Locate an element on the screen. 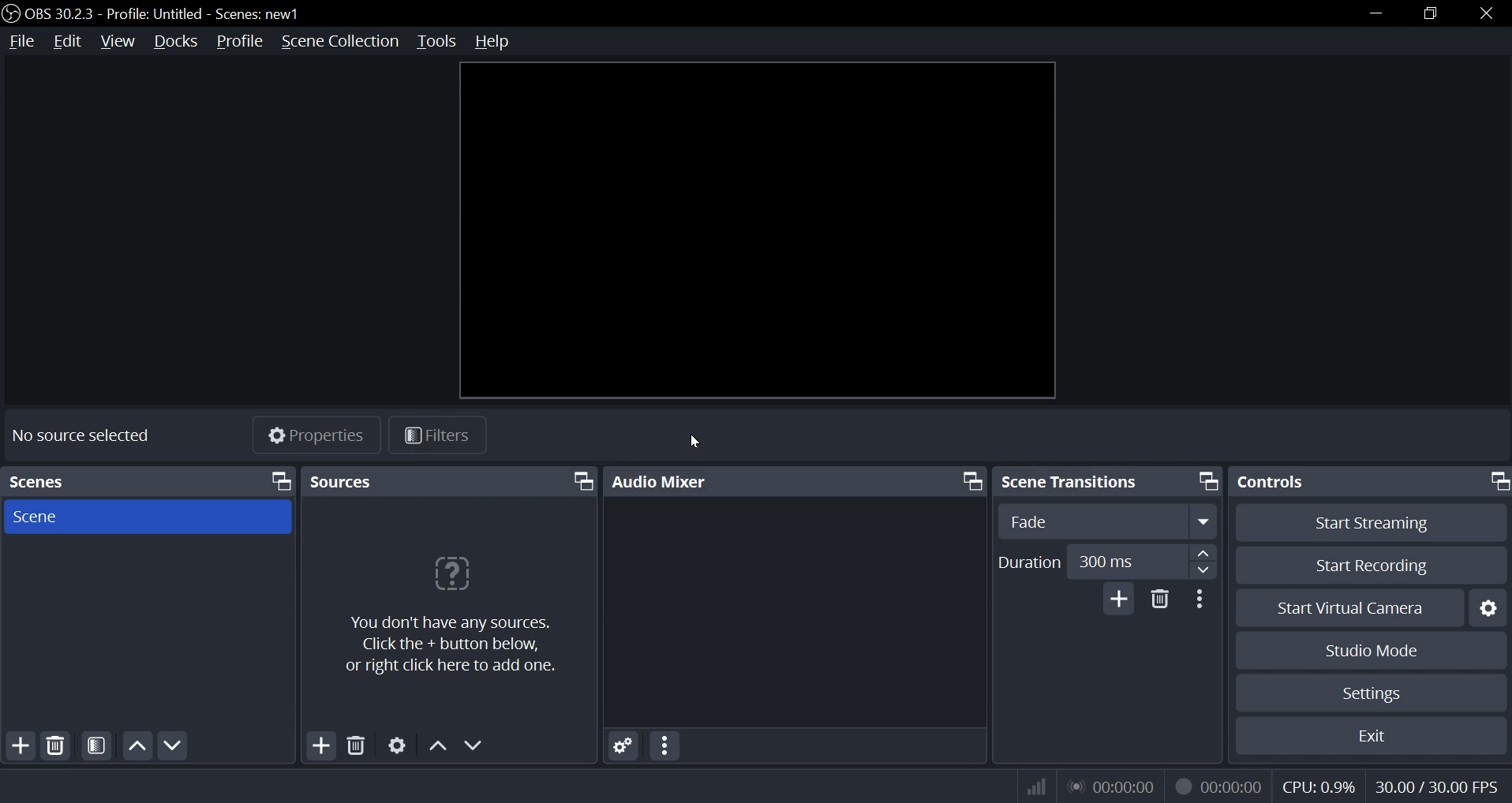 This screenshot has width=1512, height=803. Scenes is located at coordinates (52, 478).